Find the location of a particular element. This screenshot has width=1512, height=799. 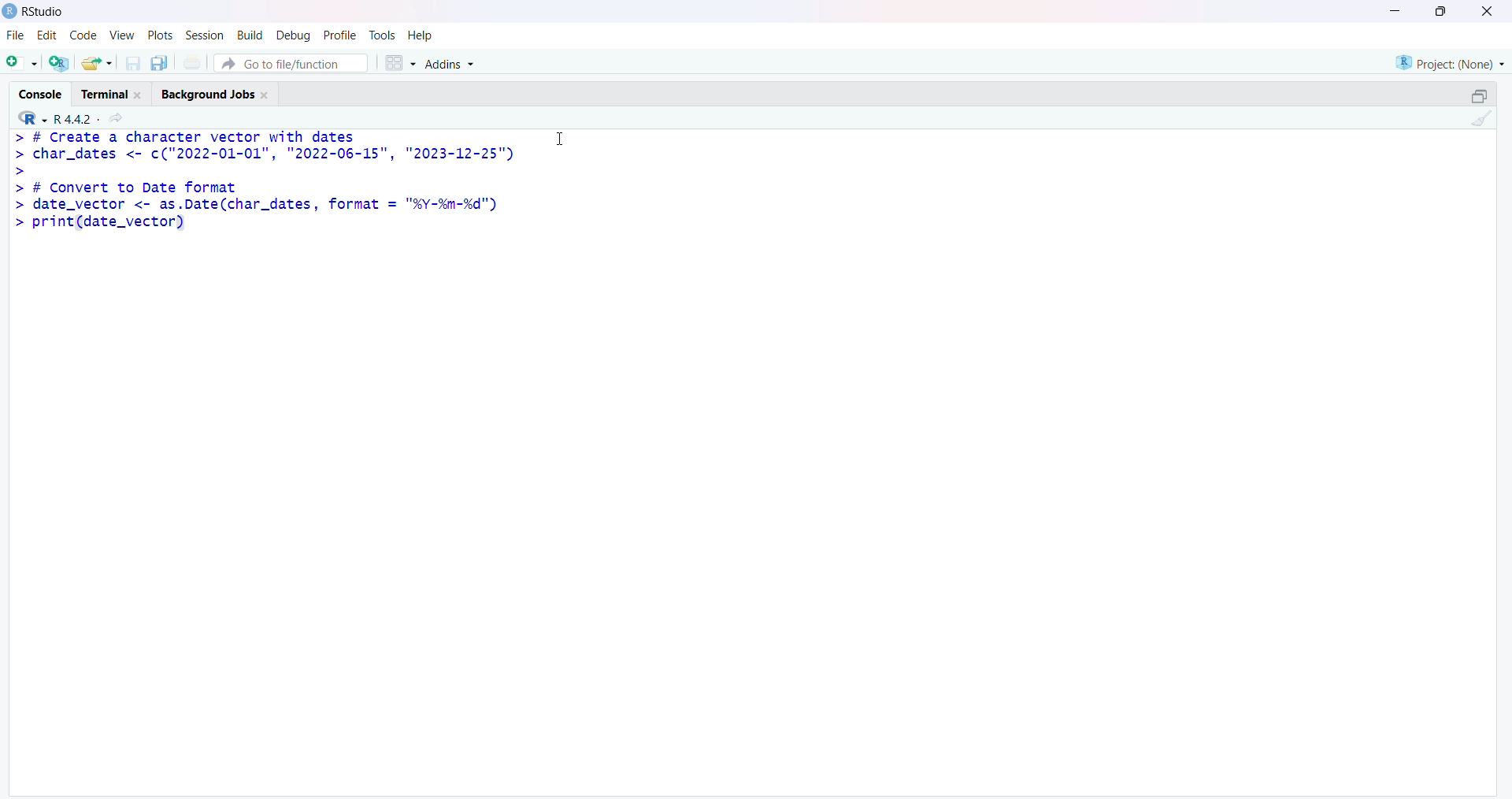

Help is located at coordinates (421, 35).